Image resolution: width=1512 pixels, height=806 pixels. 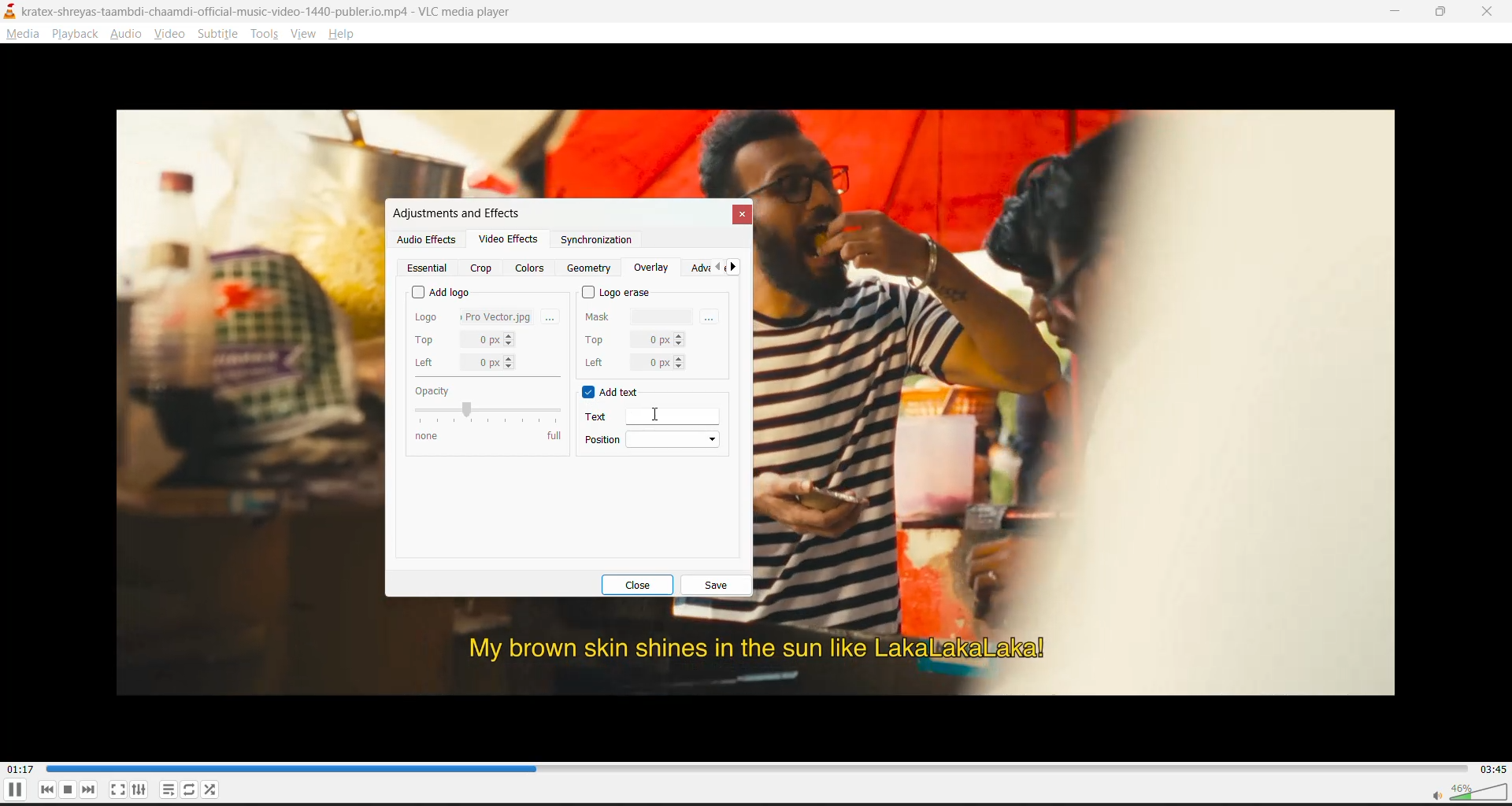 I want to click on total track time, so click(x=1492, y=768).